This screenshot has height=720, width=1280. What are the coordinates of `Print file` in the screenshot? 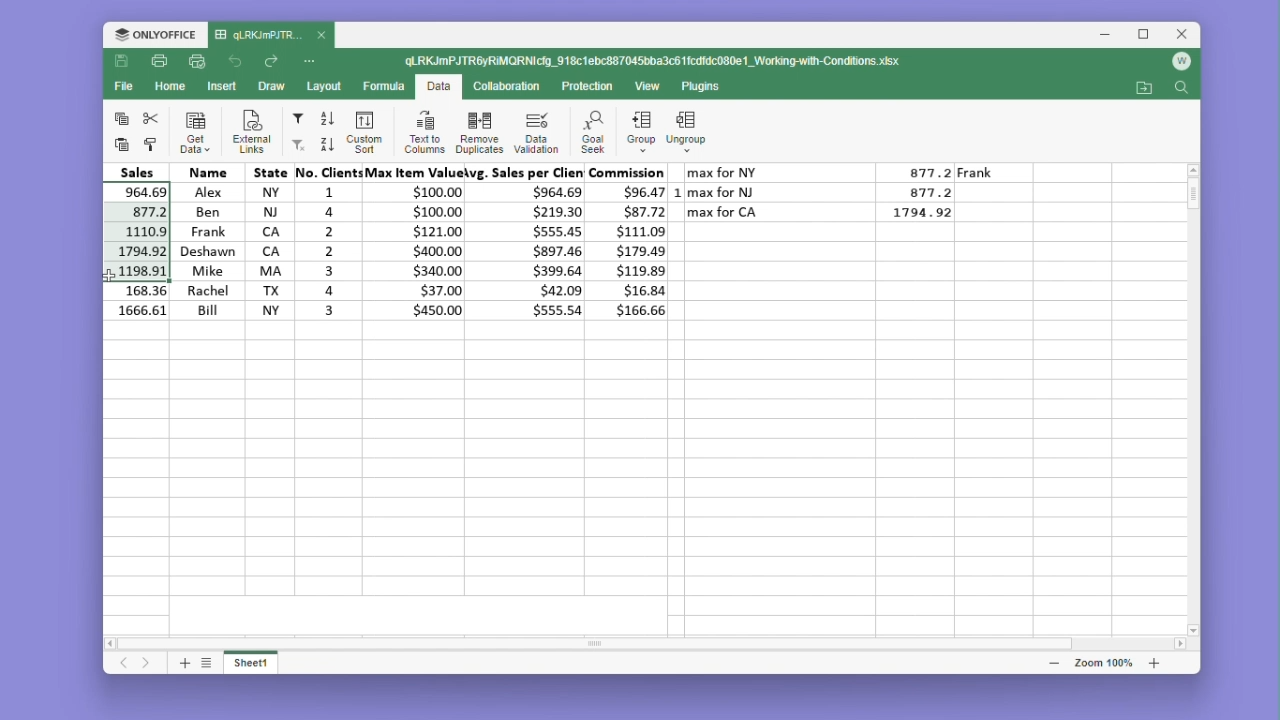 It's located at (158, 63).